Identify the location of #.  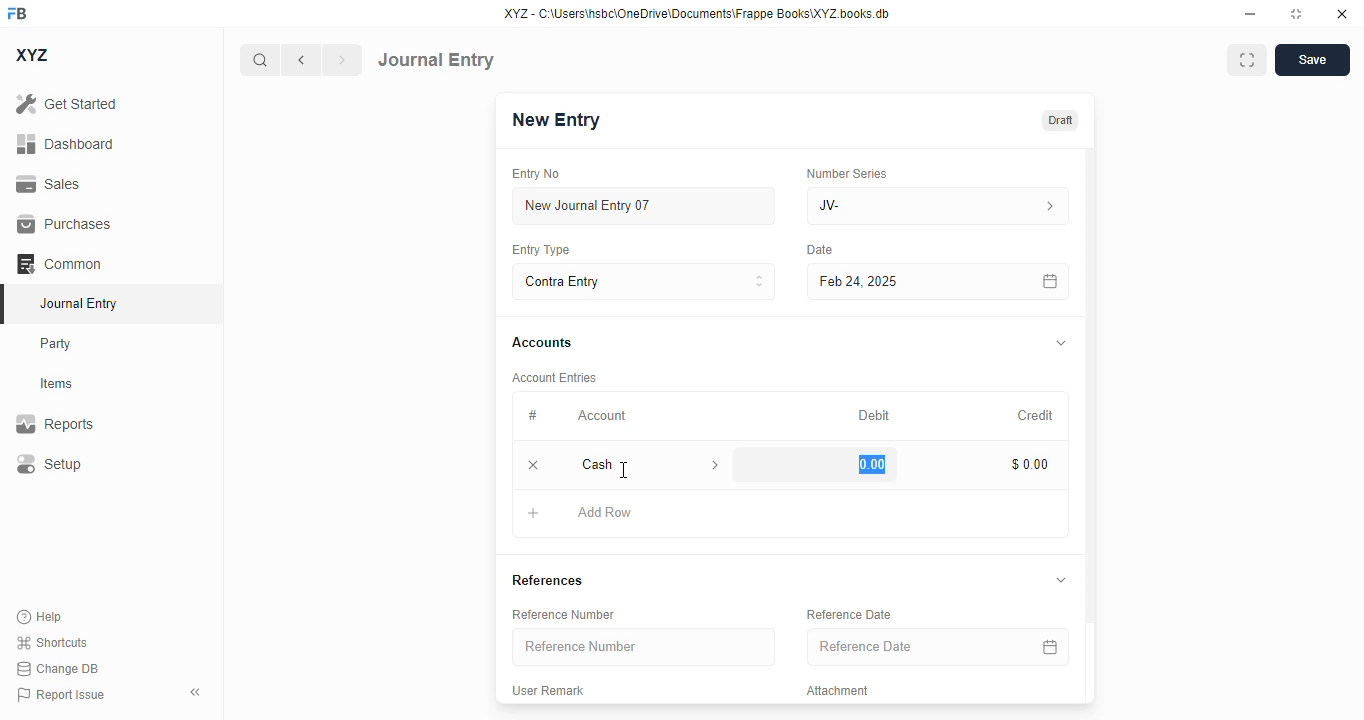
(531, 415).